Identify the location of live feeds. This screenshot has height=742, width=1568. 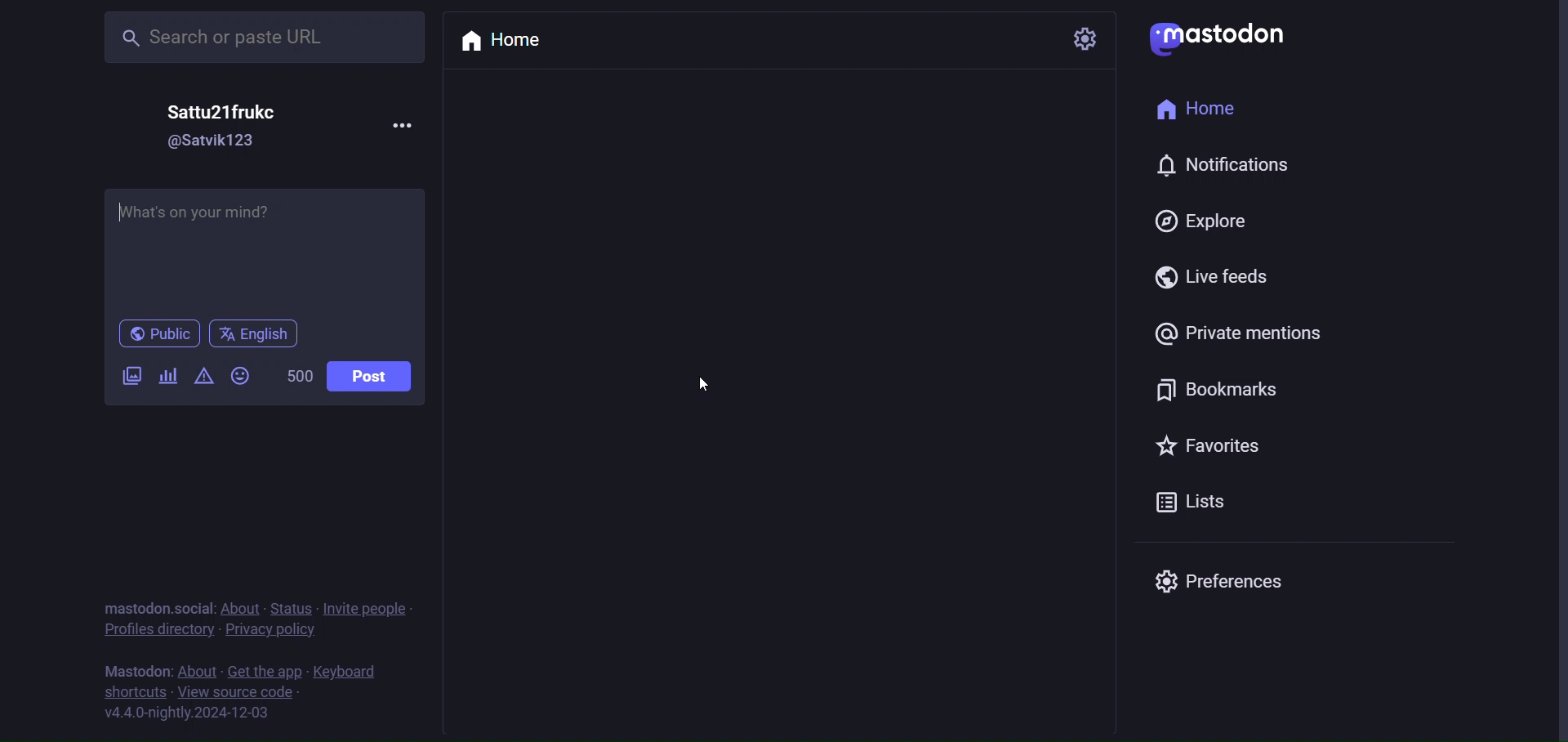
(1206, 280).